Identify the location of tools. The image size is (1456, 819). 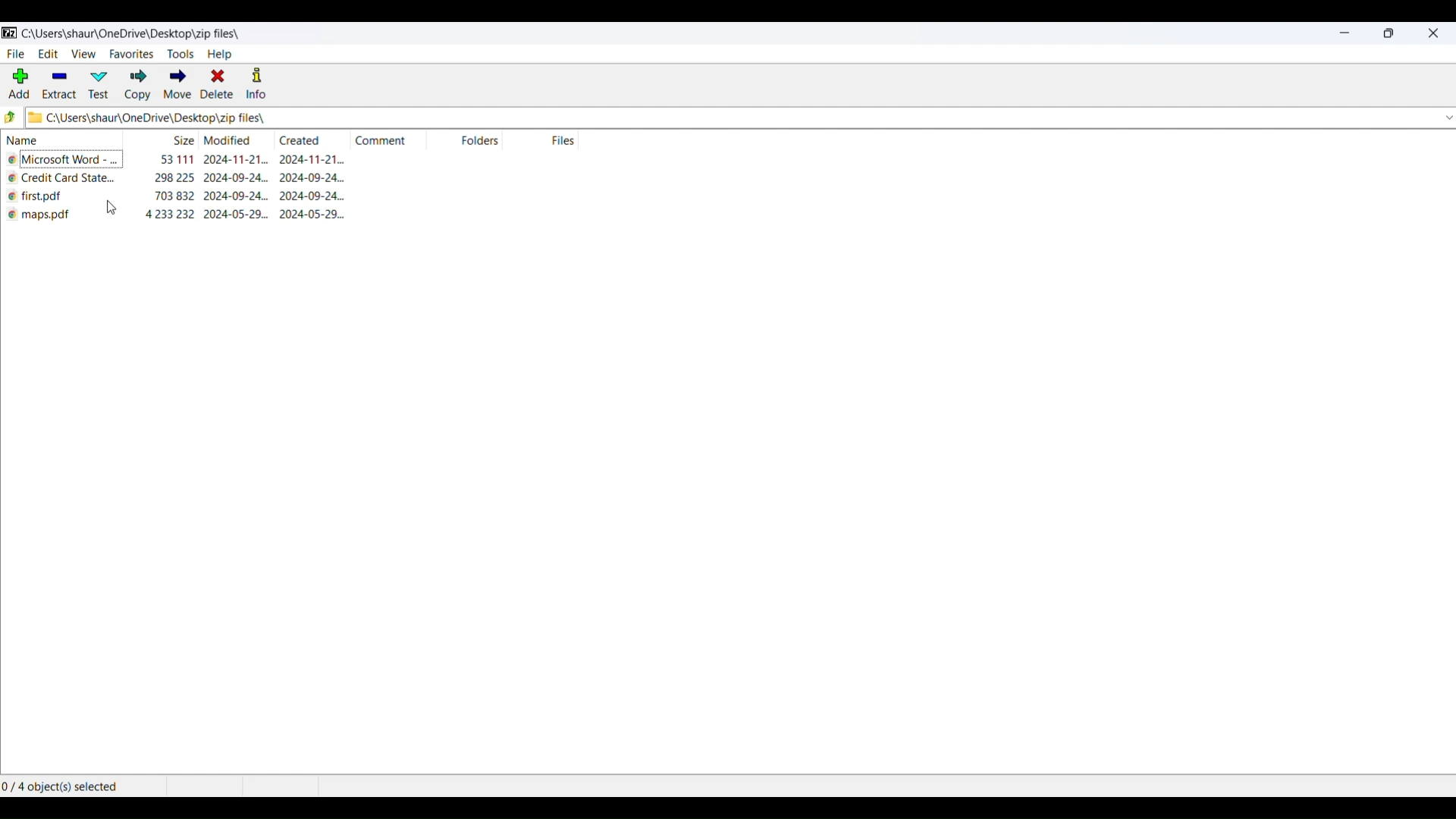
(180, 55).